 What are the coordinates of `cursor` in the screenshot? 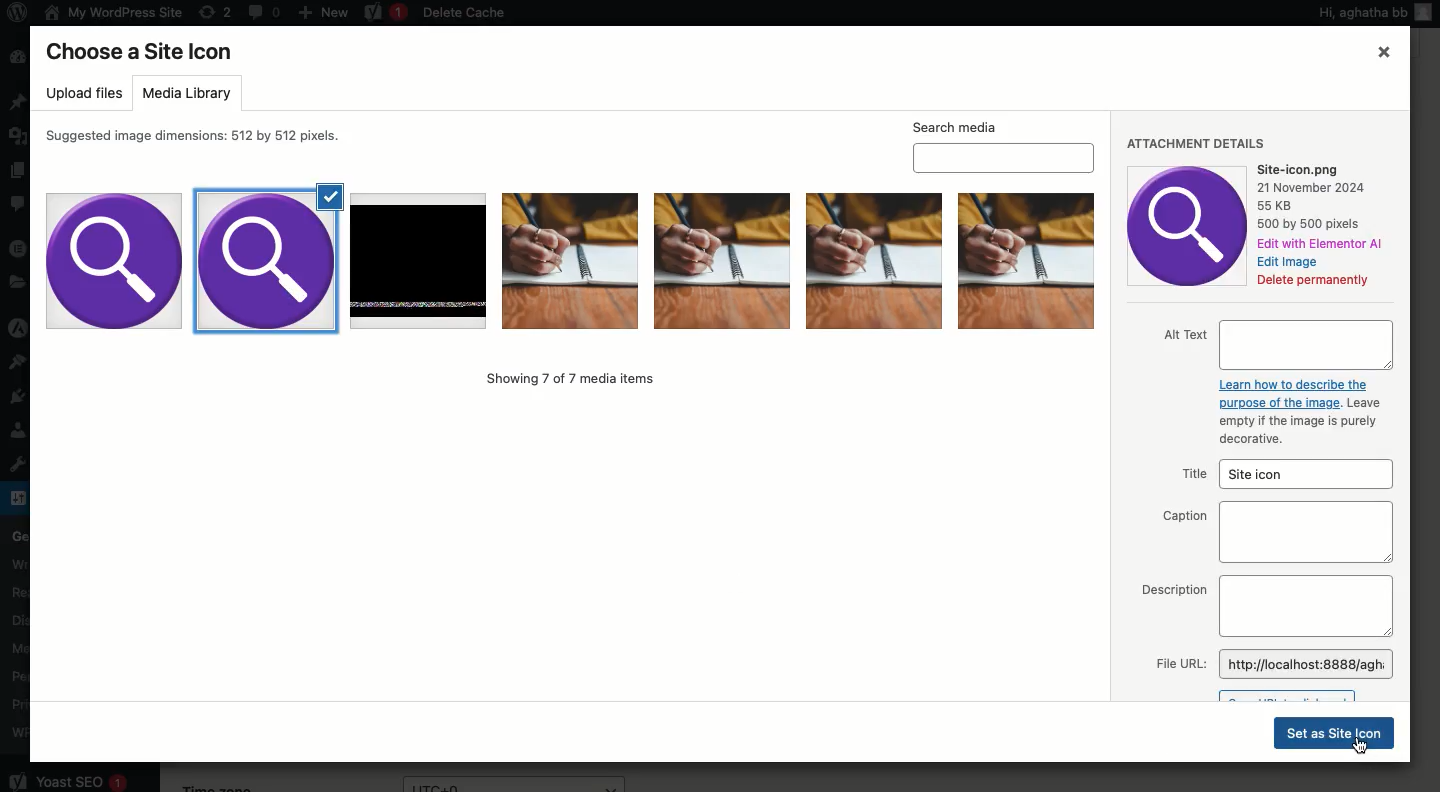 It's located at (1362, 751).